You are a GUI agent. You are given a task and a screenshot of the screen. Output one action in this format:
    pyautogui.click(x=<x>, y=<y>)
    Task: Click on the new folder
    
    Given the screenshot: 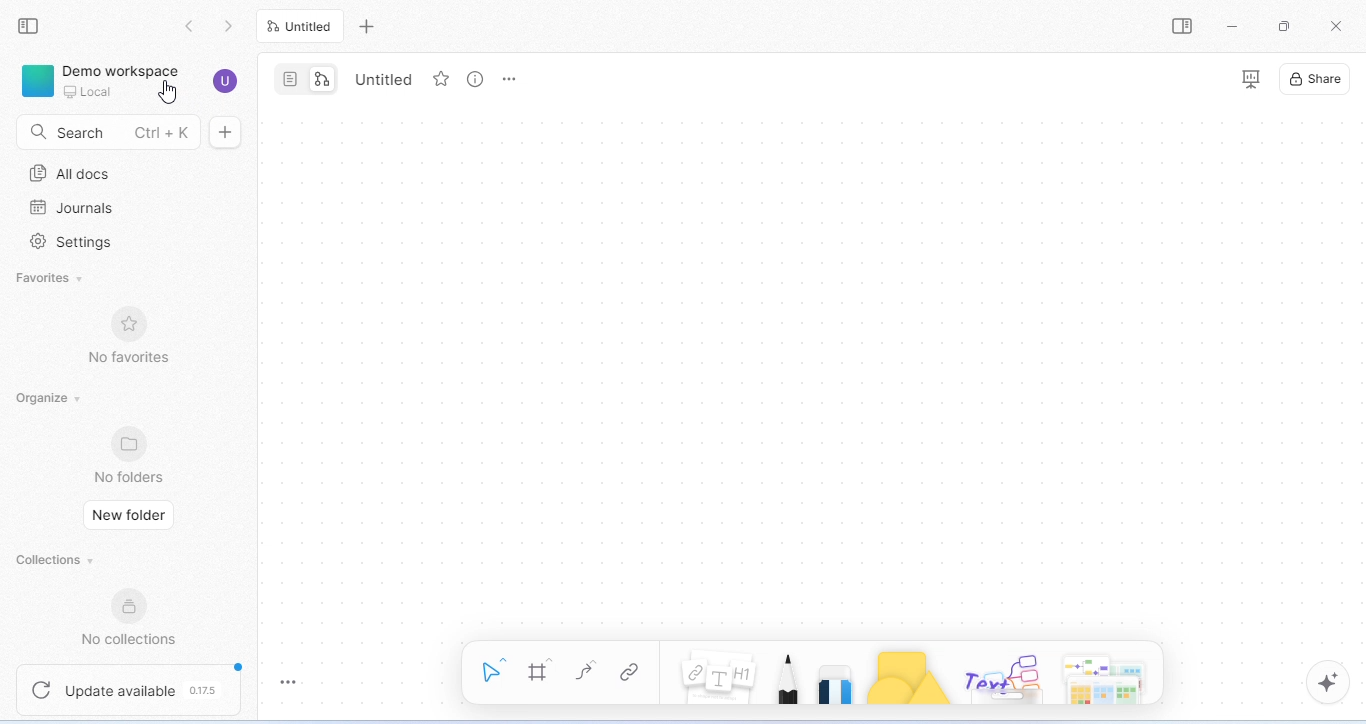 What is the action you would take?
    pyautogui.click(x=131, y=516)
    